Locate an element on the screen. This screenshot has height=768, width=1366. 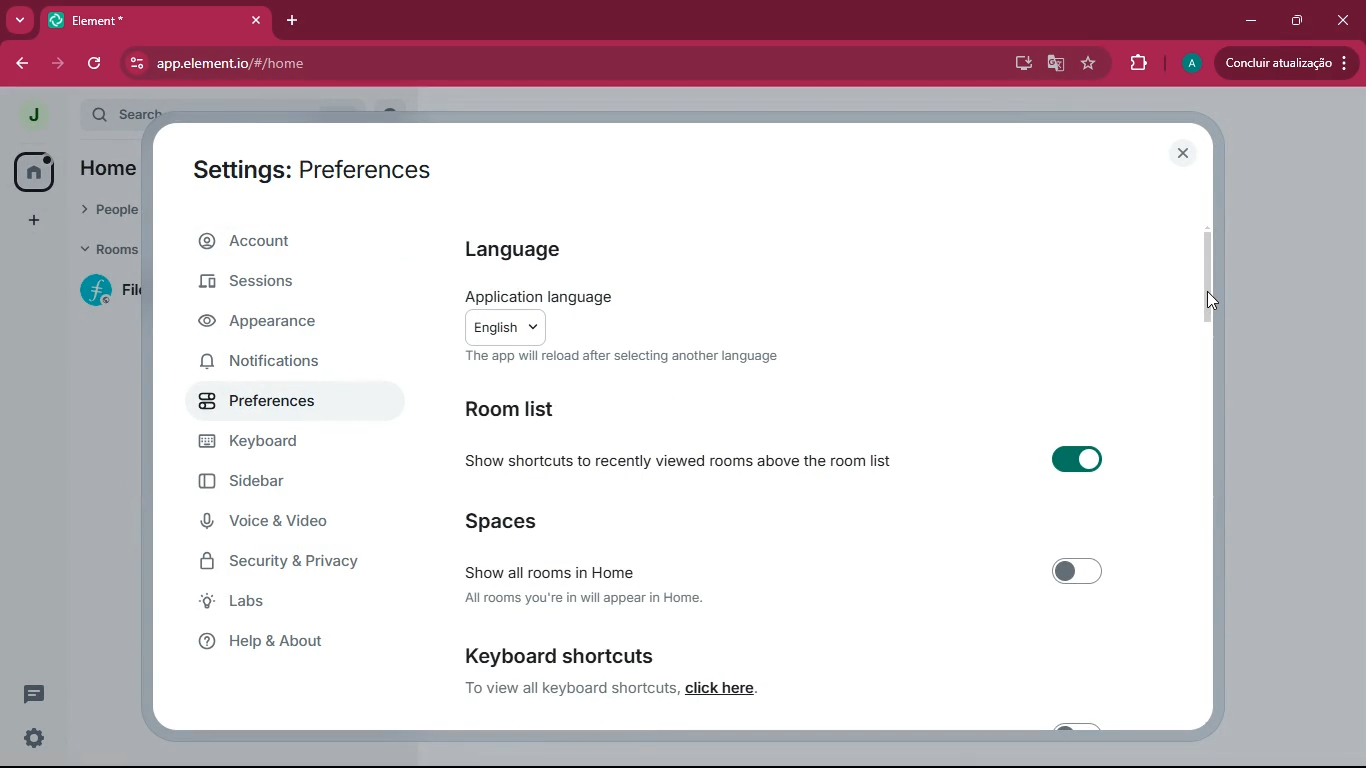
updates is located at coordinates (1285, 64).